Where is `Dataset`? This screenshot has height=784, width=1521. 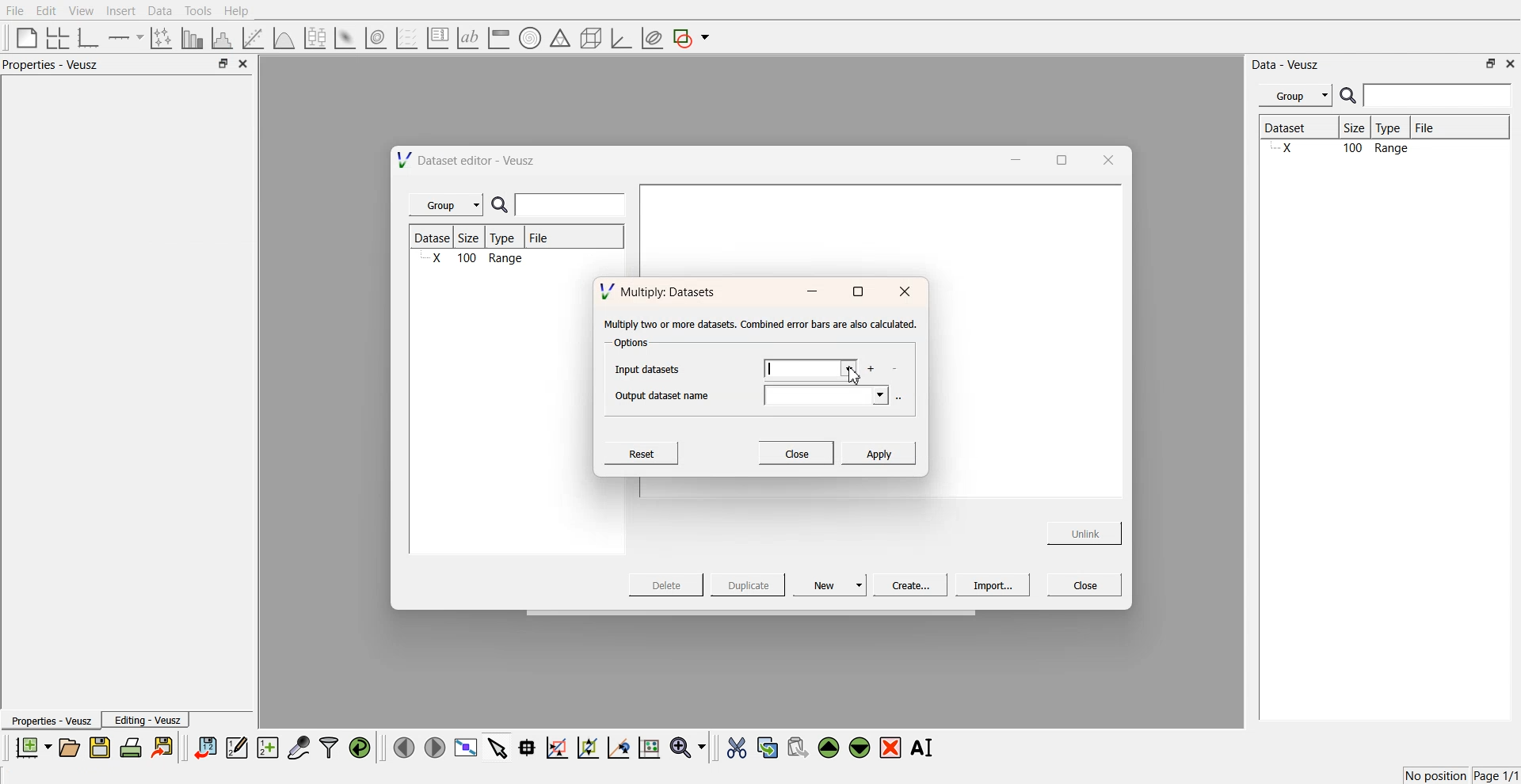 Dataset is located at coordinates (434, 238).